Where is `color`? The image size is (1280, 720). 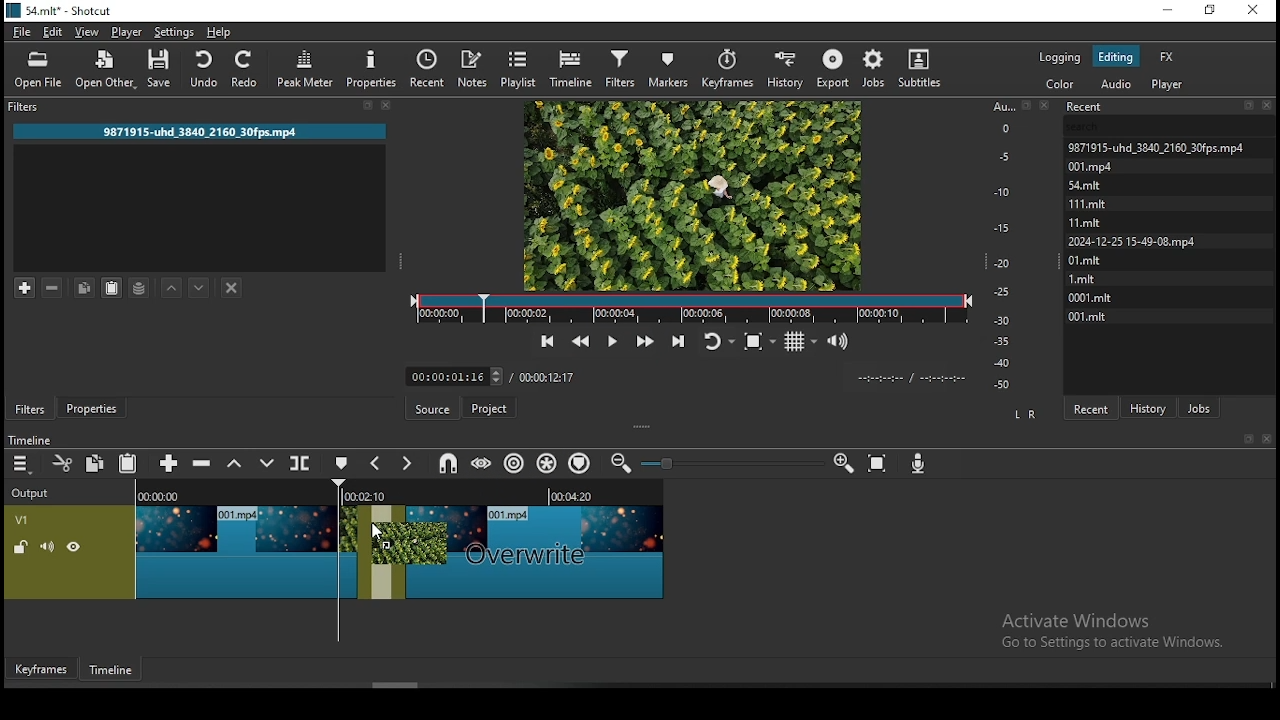 color is located at coordinates (1062, 86).